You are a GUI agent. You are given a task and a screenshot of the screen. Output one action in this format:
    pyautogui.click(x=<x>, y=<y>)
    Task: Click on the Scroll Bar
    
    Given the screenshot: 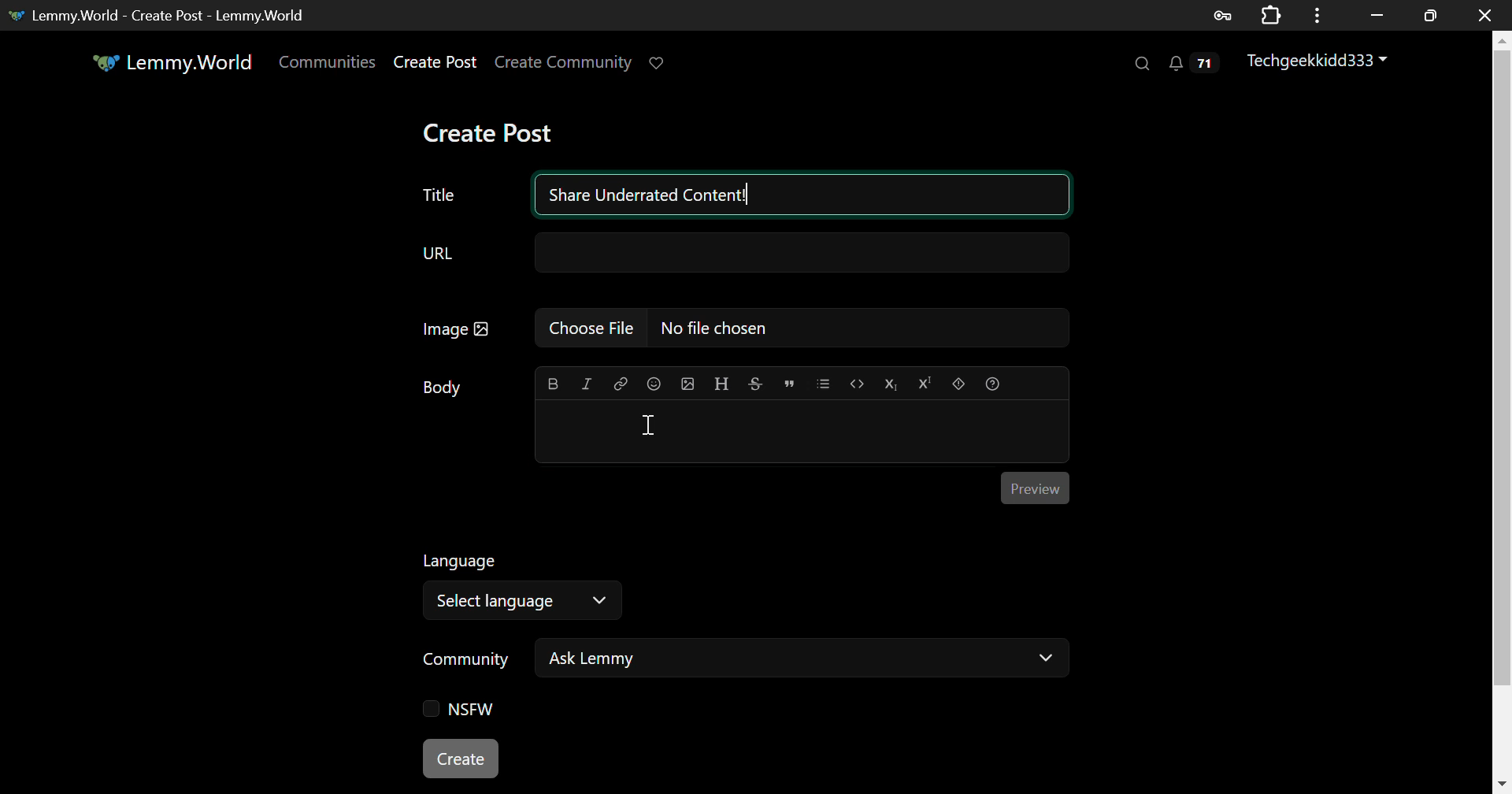 What is the action you would take?
    pyautogui.click(x=1503, y=404)
    